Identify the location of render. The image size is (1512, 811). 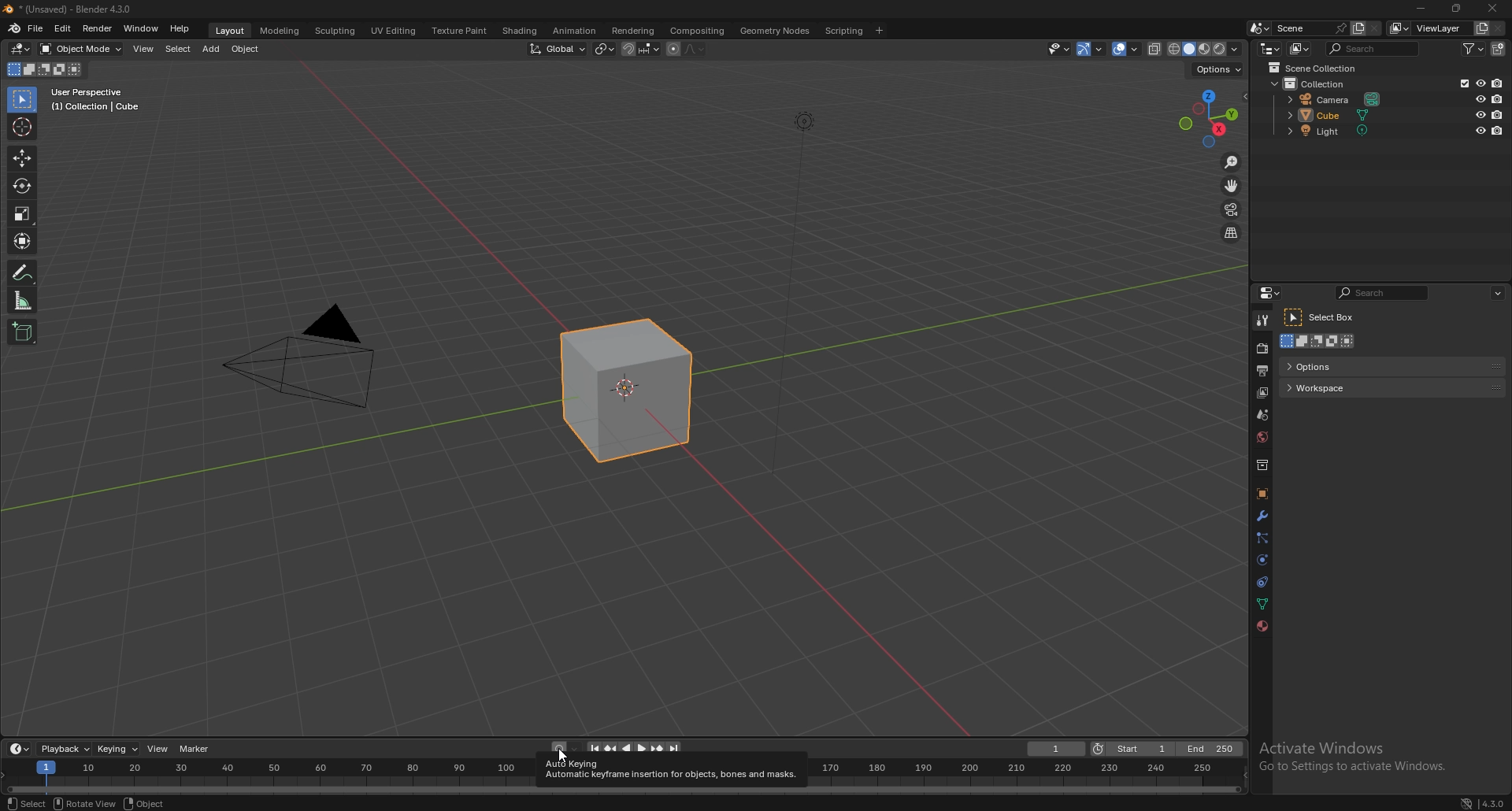
(97, 28).